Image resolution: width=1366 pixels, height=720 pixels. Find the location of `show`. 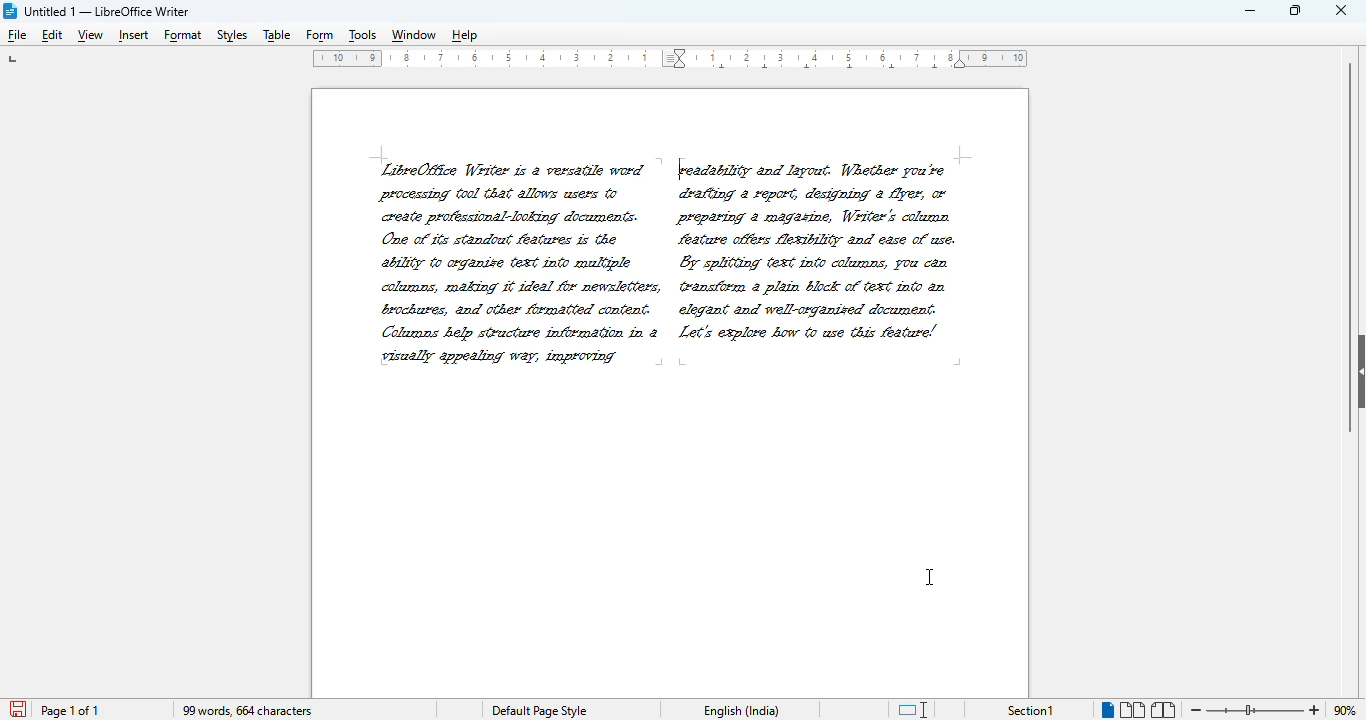

show is located at coordinates (1357, 371).